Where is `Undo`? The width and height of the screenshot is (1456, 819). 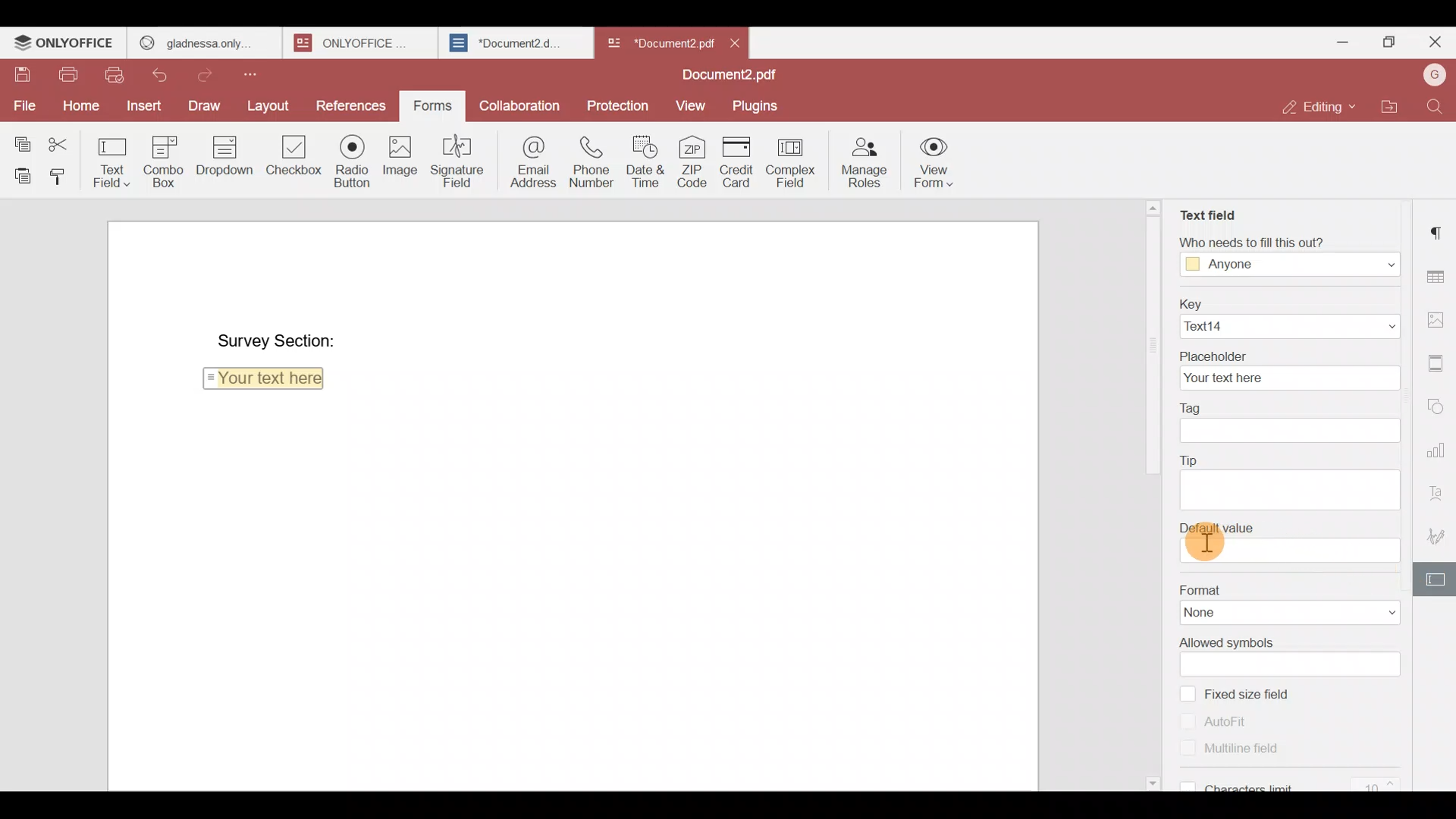 Undo is located at coordinates (163, 76).